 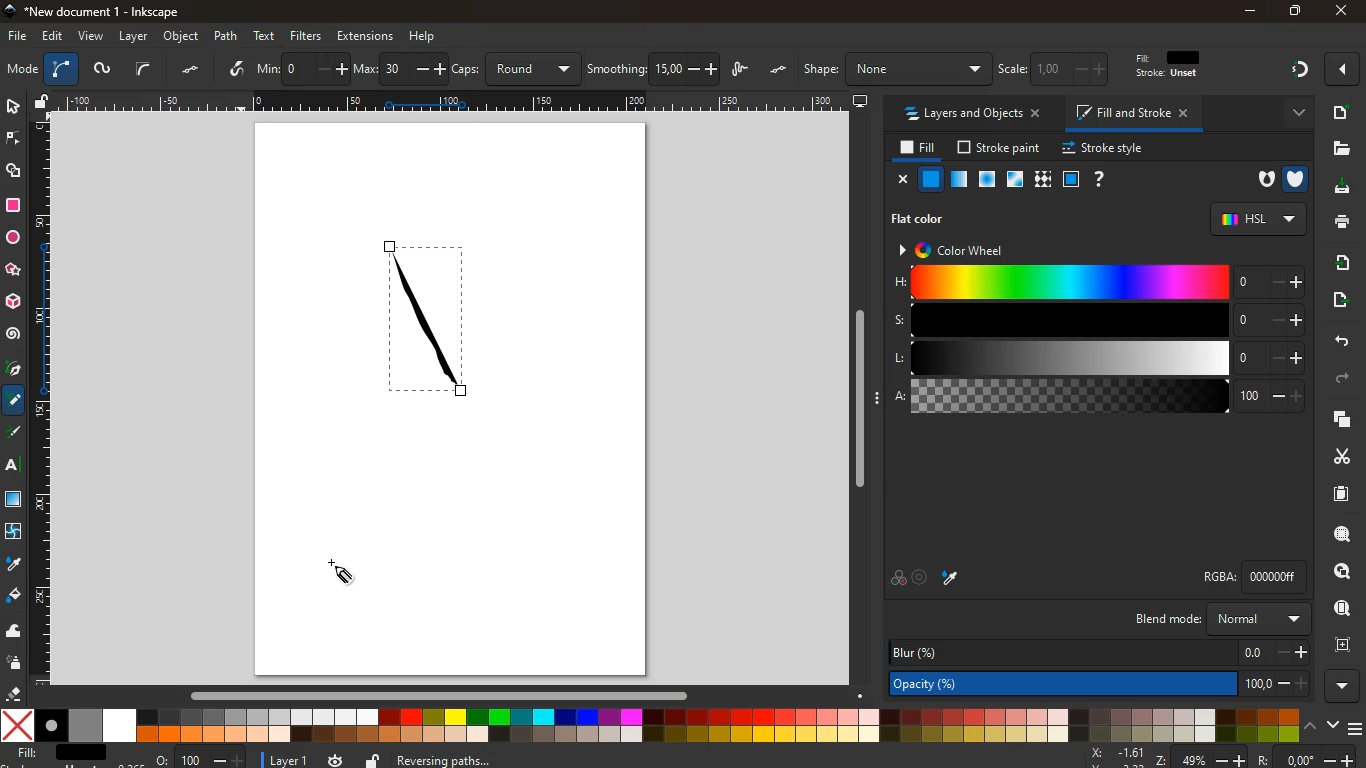 What do you see at coordinates (11, 693) in the screenshot?
I see `erase` at bounding box center [11, 693].